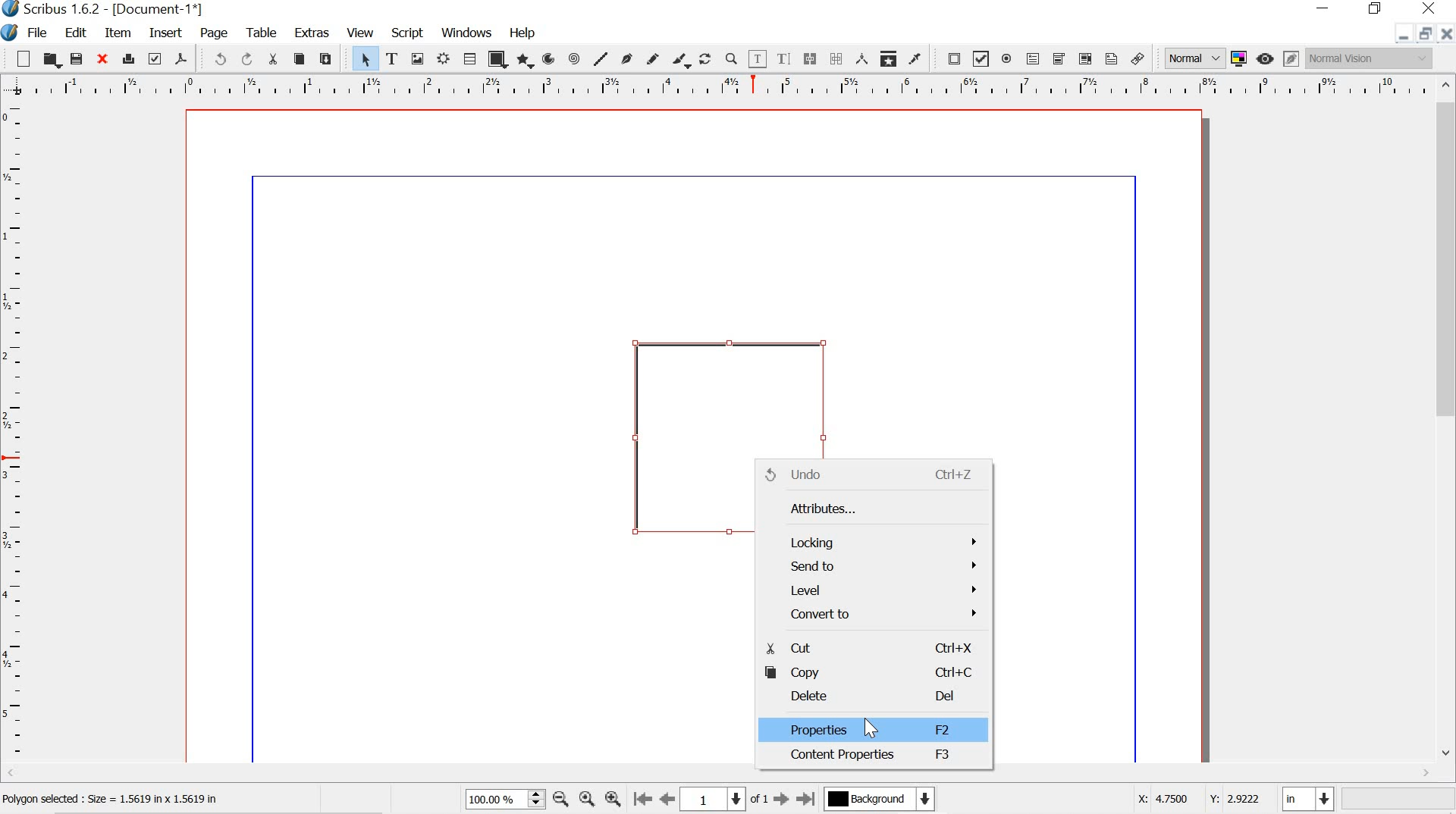  Describe the element at coordinates (40, 33) in the screenshot. I see `file` at that location.